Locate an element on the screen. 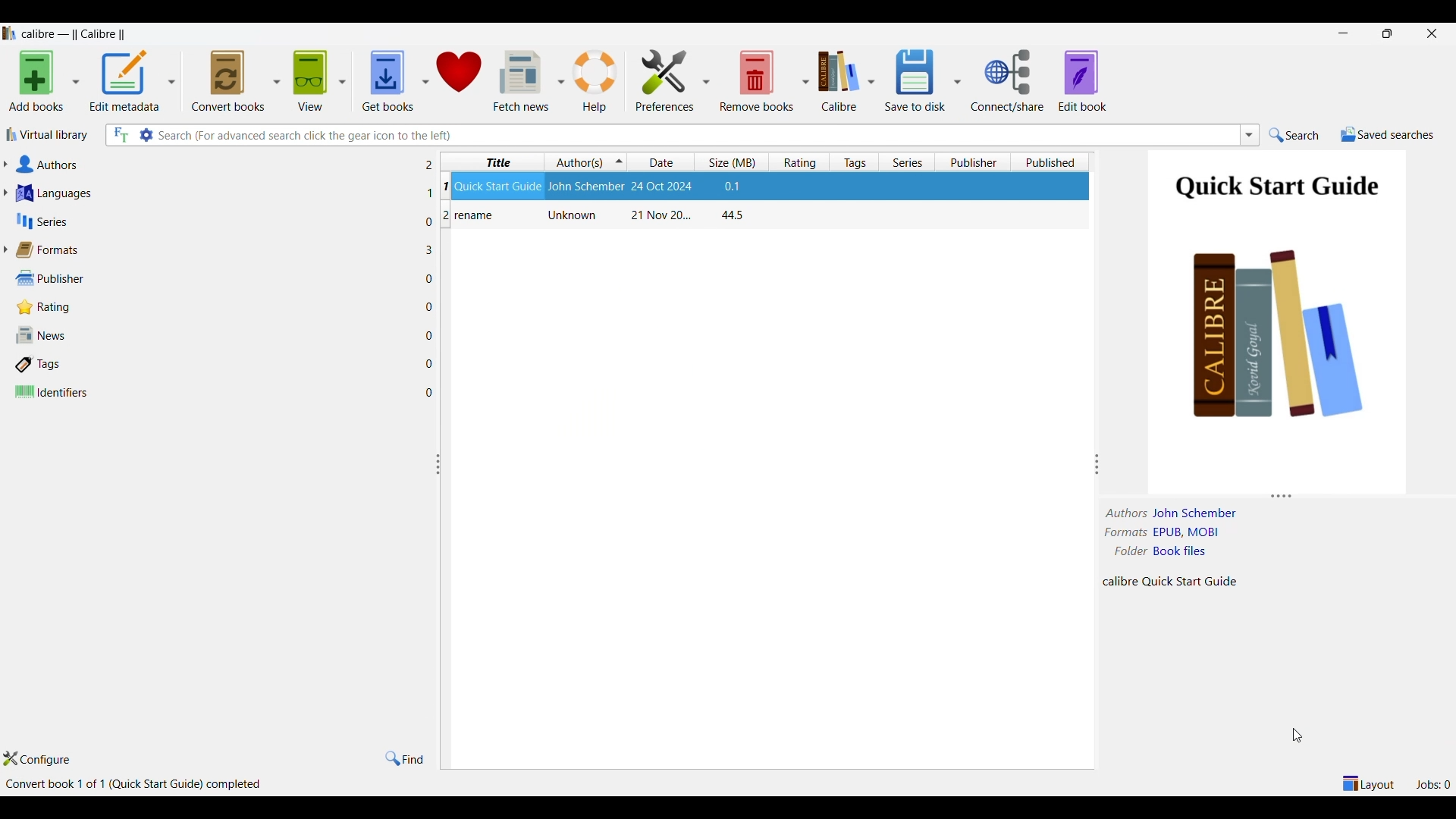  Minimize is located at coordinates (1343, 33).